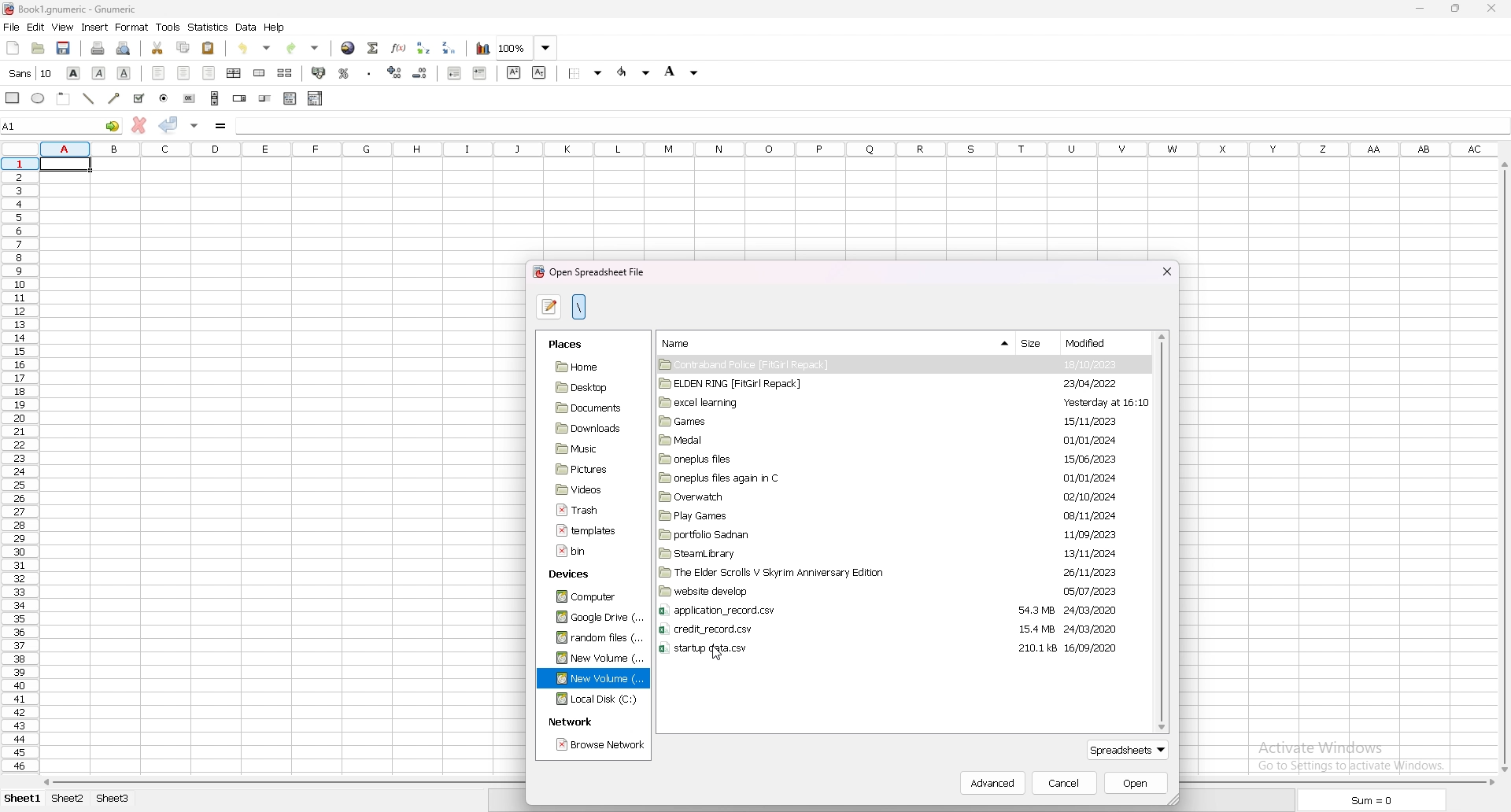  I want to click on zoom, so click(526, 49).